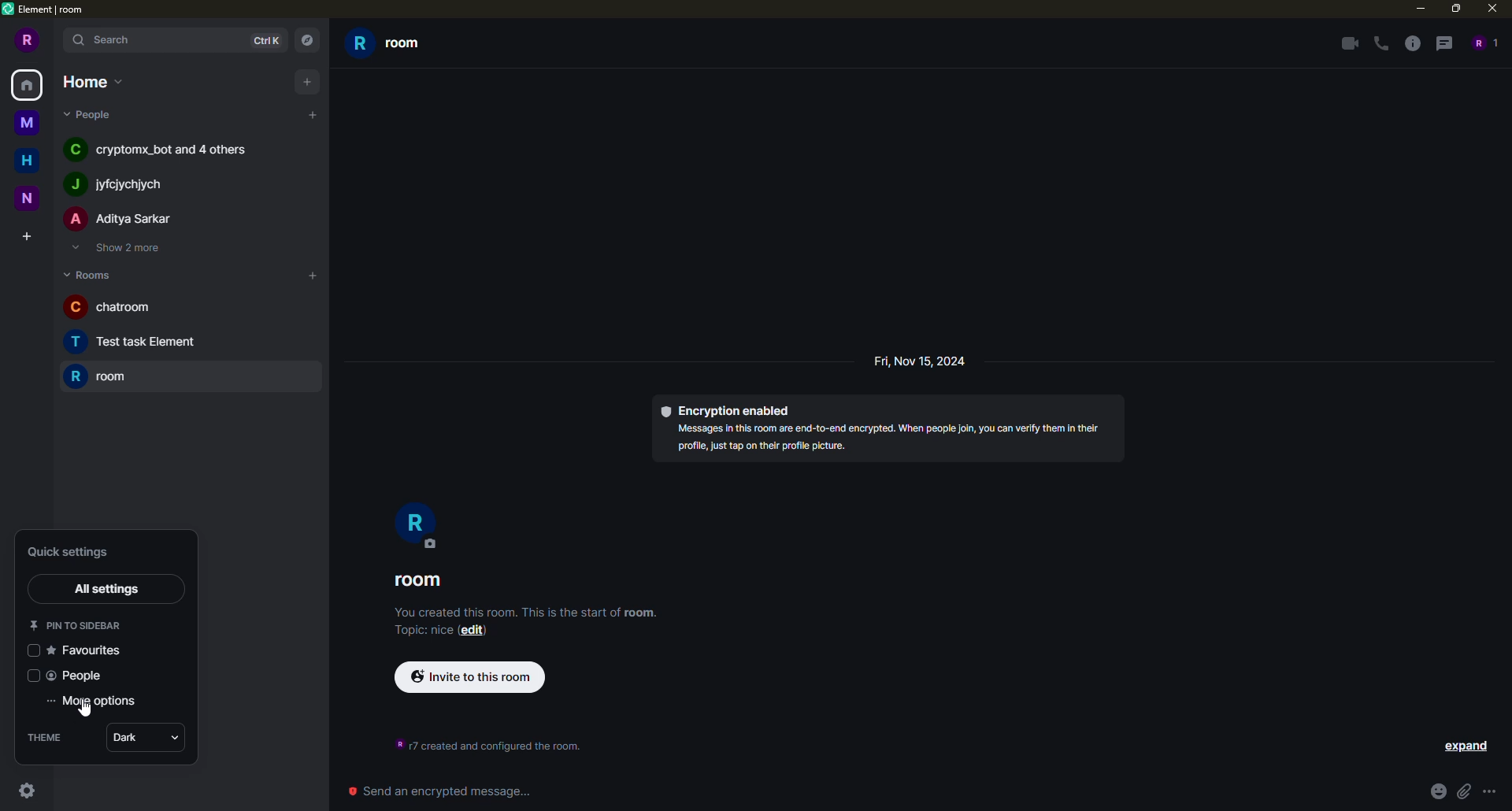  What do you see at coordinates (1455, 9) in the screenshot?
I see `maximize` at bounding box center [1455, 9].